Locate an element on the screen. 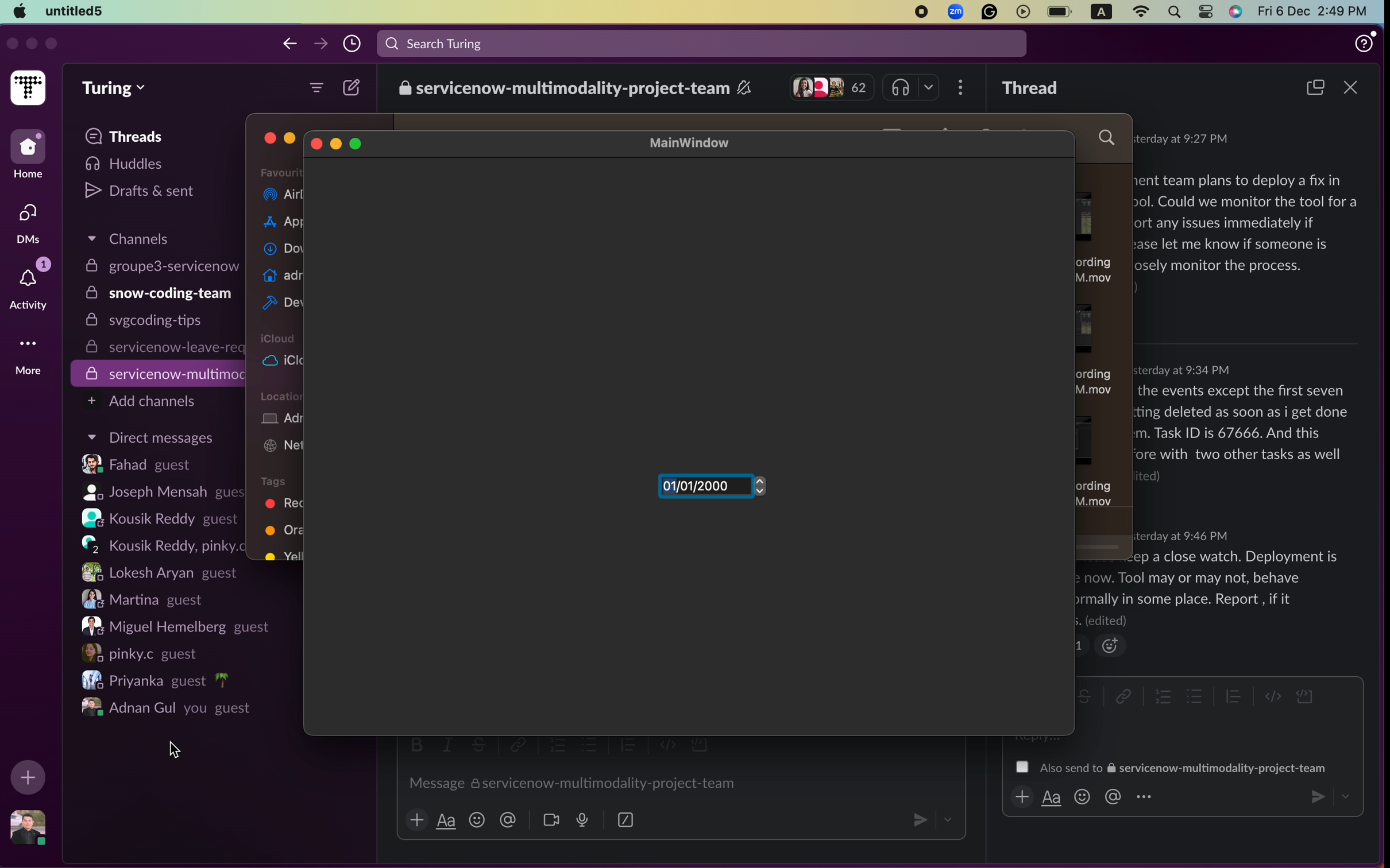 This screenshot has width=1390, height=868. More is located at coordinates (32, 362).